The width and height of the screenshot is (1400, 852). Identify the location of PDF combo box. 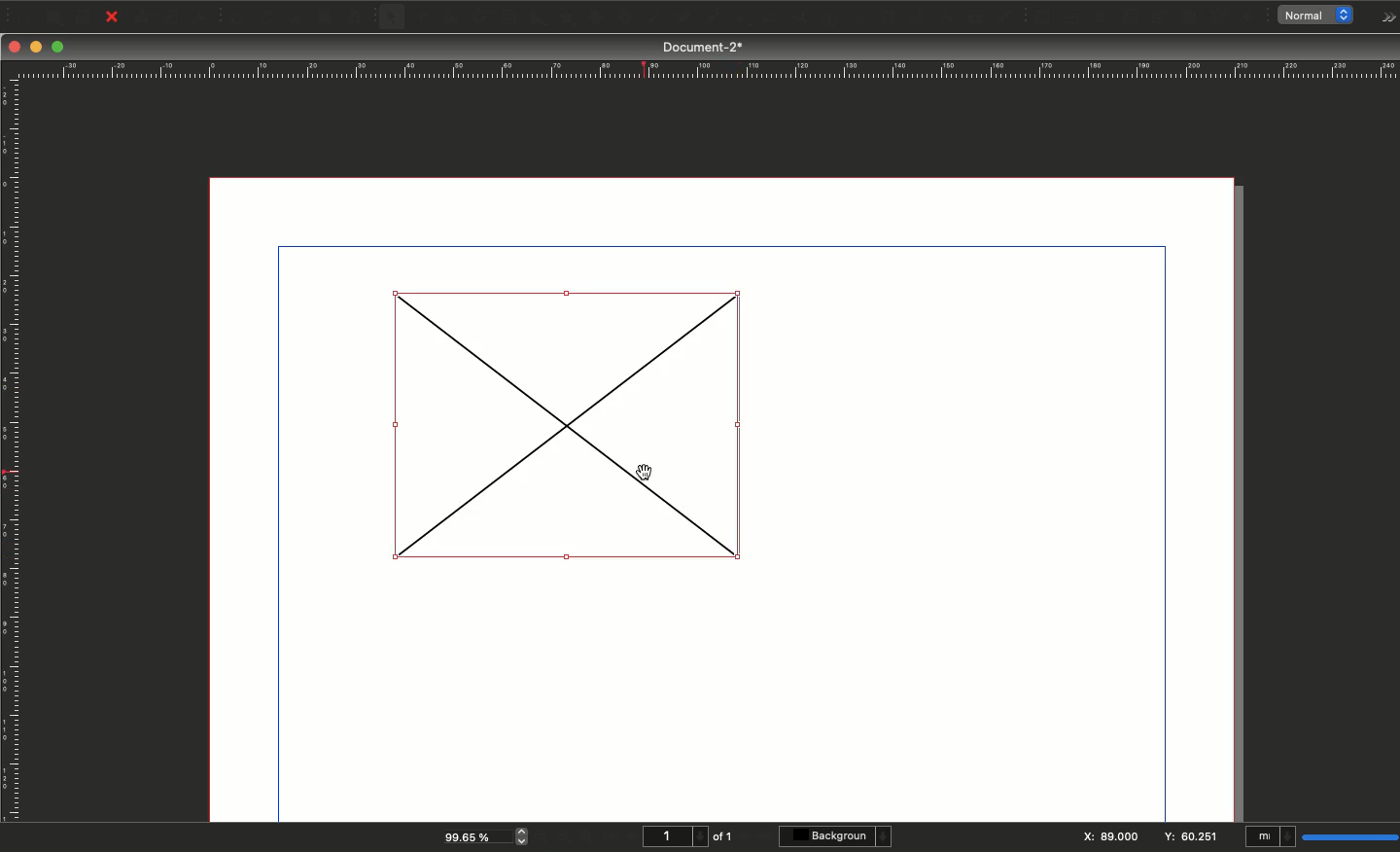
(1157, 18).